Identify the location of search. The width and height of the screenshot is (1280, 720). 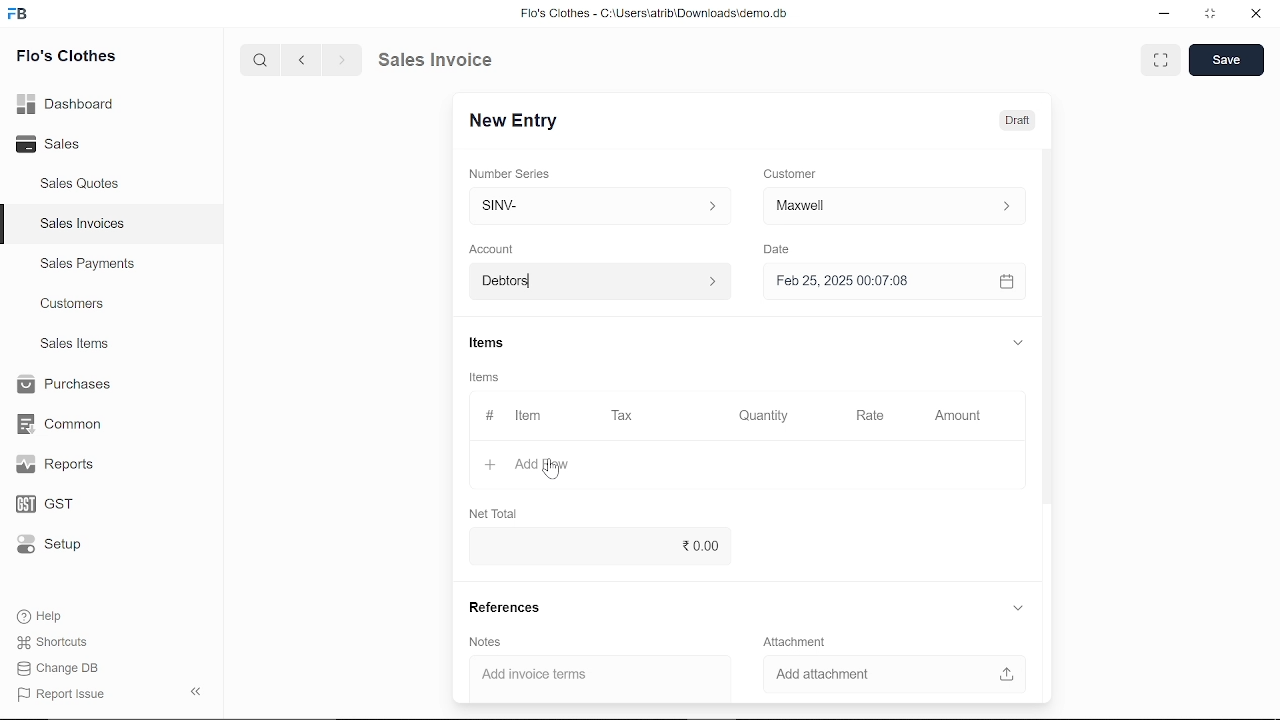
(263, 61).